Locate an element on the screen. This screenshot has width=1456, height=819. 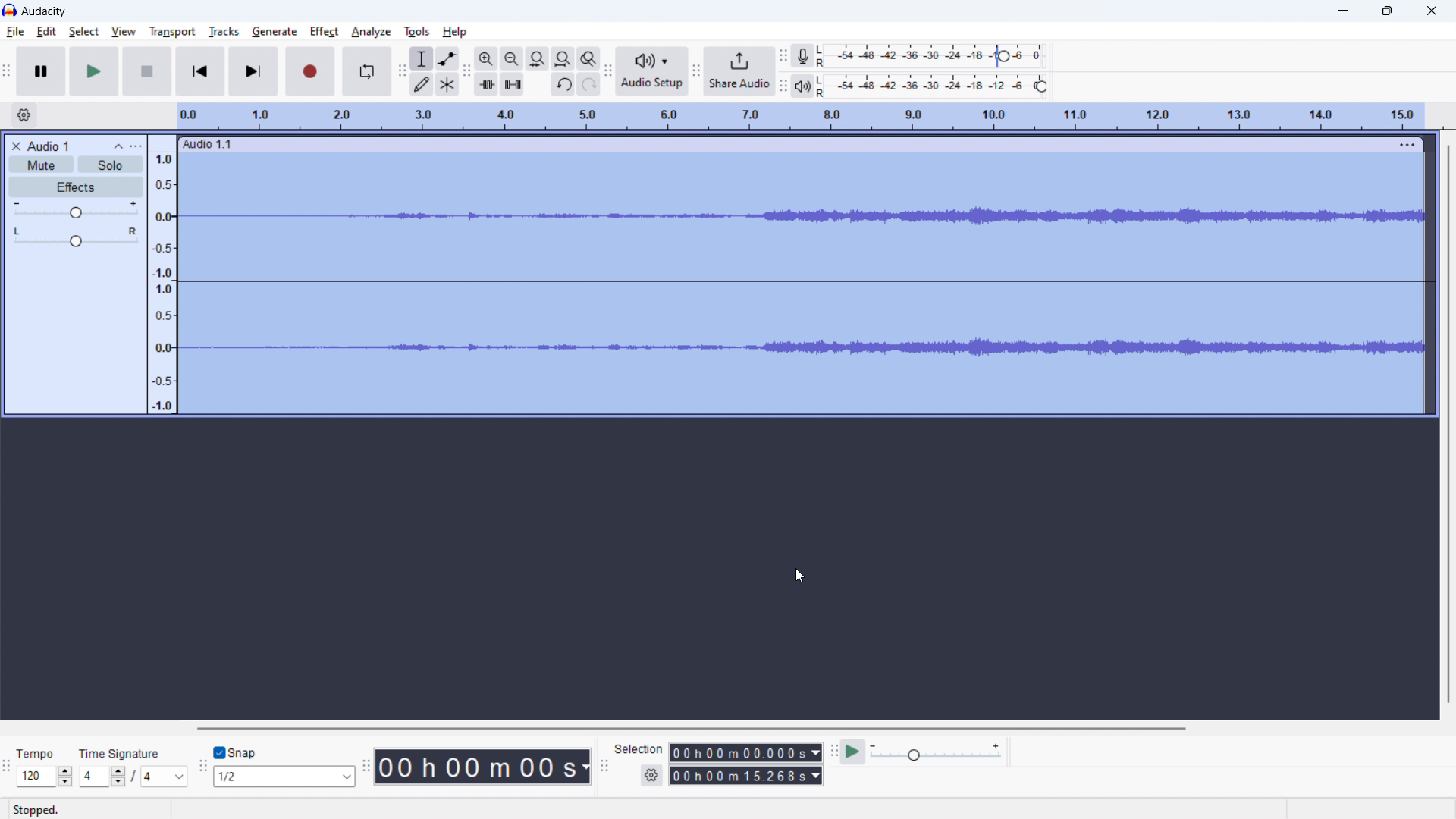
pause is located at coordinates (41, 72).